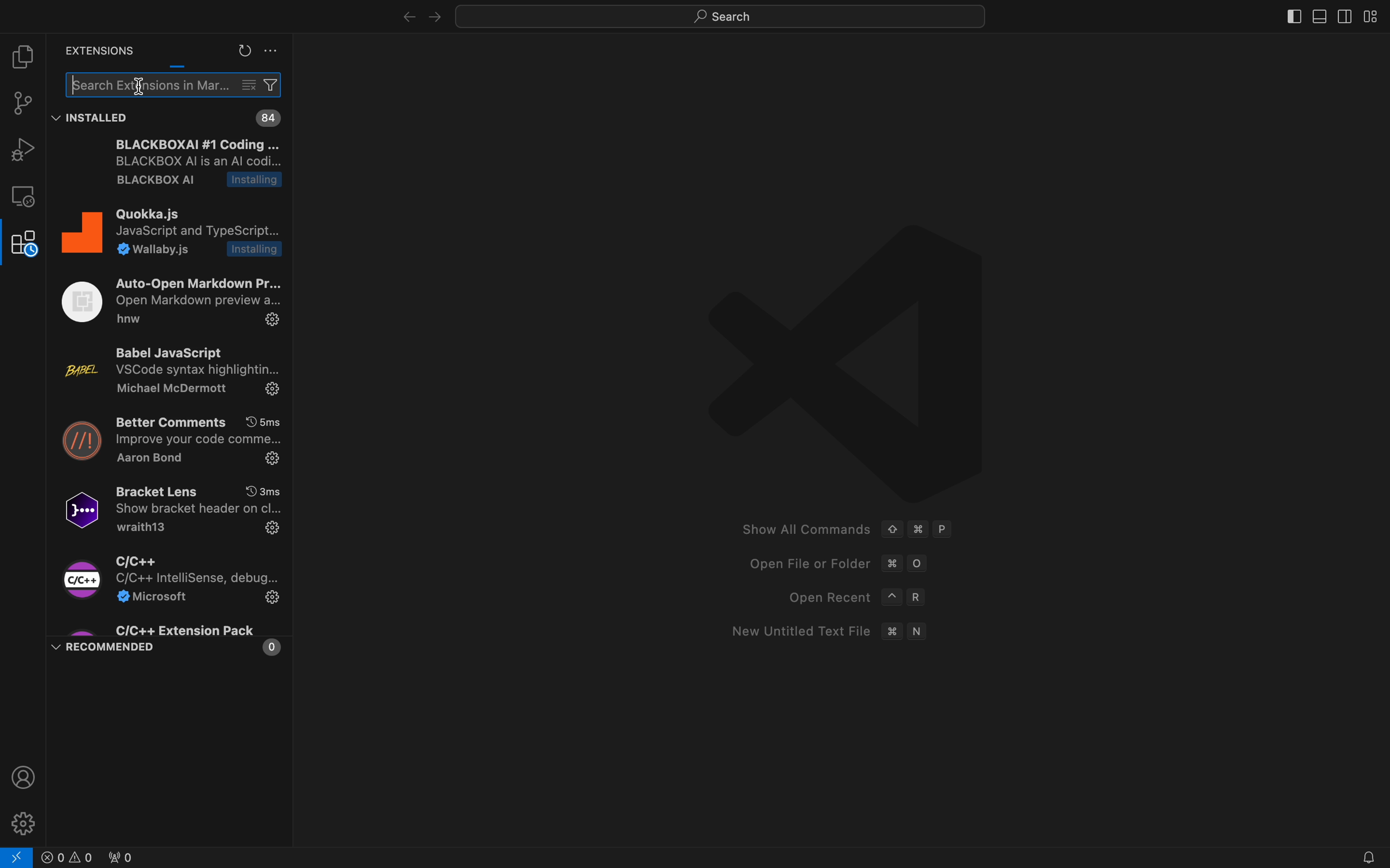  Describe the element at coordinates (176, 84) in the screenshot. I see `search bar` at that location.